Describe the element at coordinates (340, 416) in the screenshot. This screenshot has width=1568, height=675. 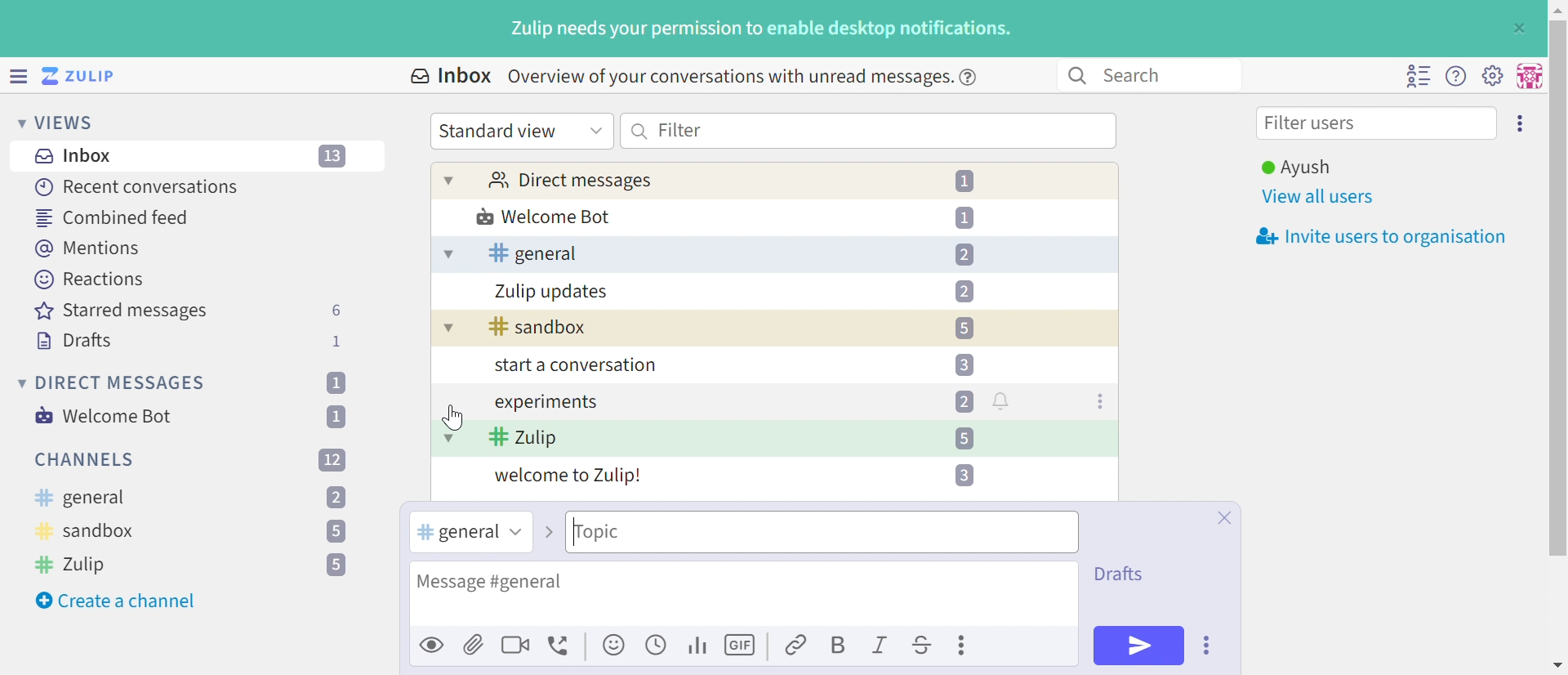
I see `1` at that location.